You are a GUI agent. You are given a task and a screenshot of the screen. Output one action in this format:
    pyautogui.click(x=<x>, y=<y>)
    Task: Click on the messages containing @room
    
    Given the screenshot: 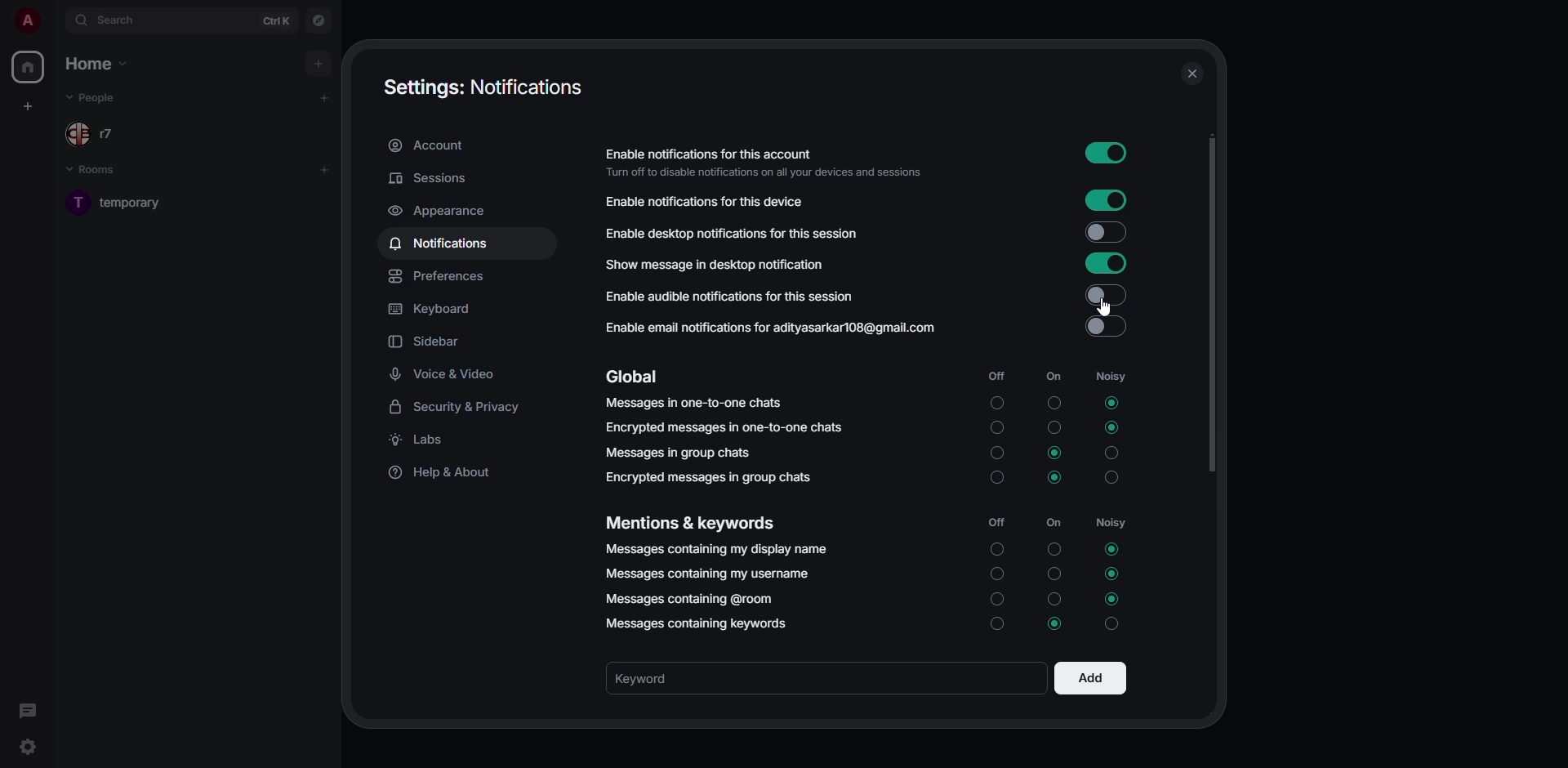 What is the action you would take?
    pyautogui.click(x=689, y=600)
    